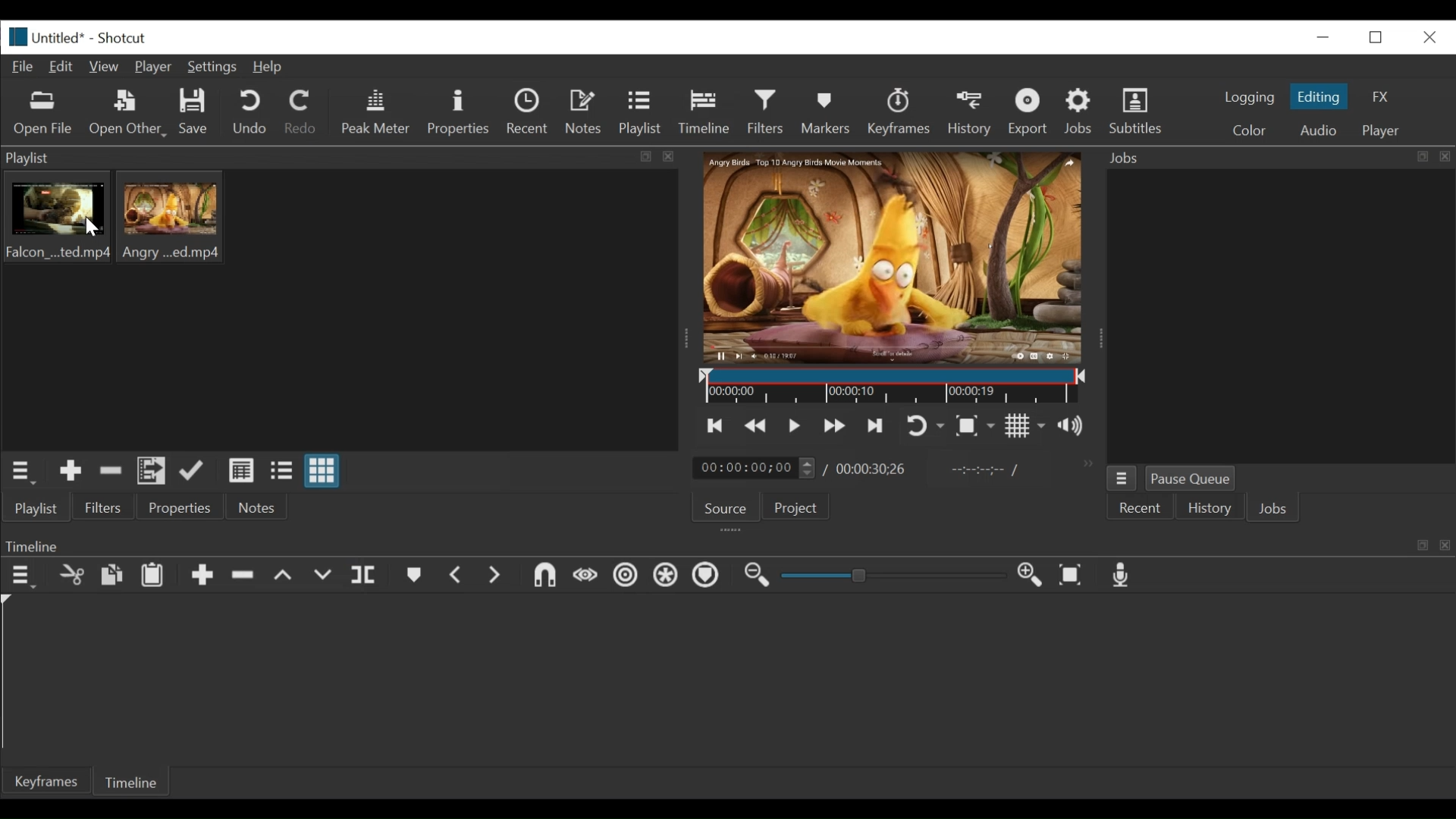  Describe the element at coordinates (1075, 576) in the screenshot. I see `Zoom timeline to fit` at that location.